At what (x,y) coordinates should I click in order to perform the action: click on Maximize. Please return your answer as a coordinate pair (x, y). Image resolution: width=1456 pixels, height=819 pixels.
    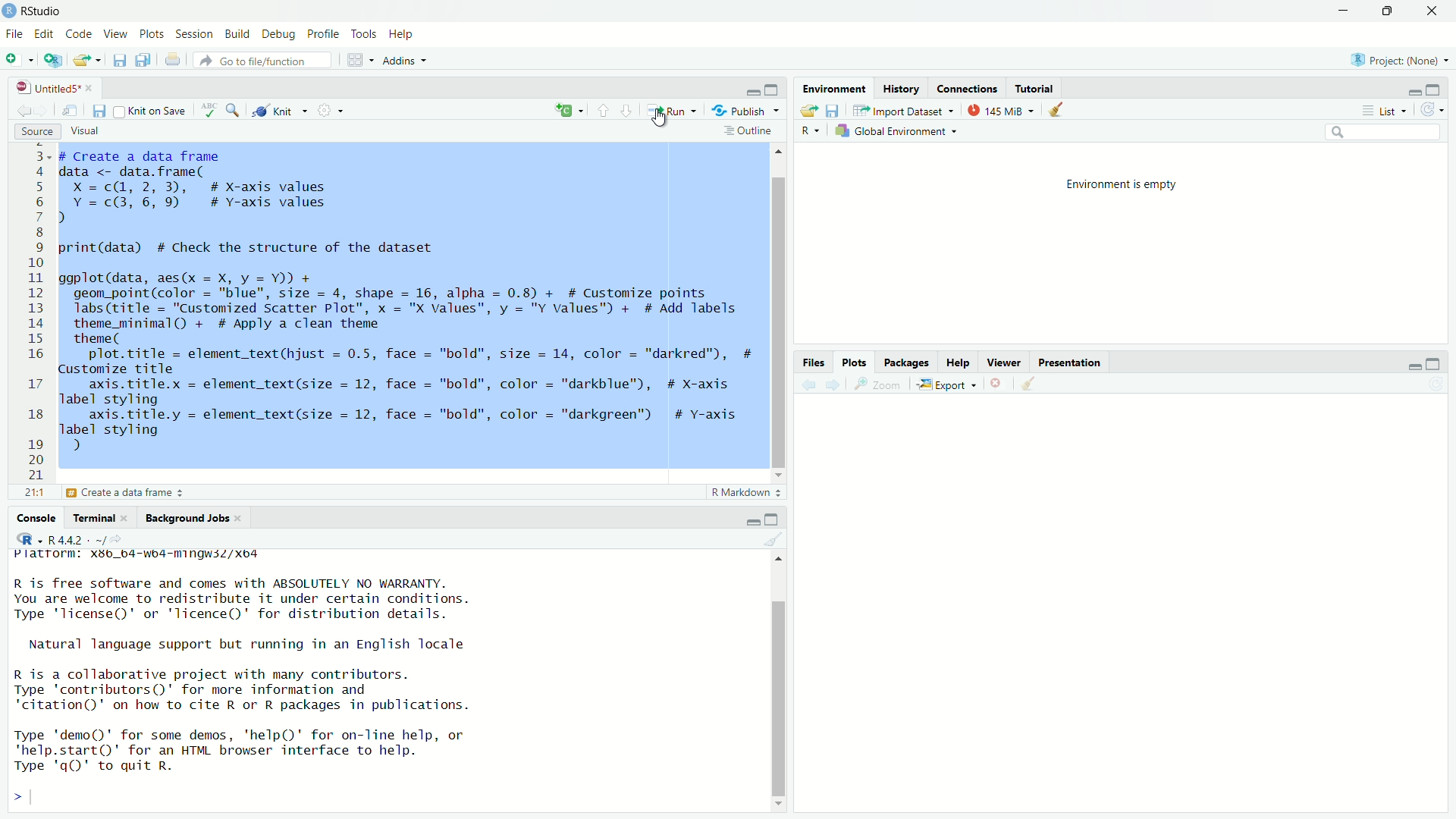
    Looking at the image, I should click on (773, 520).